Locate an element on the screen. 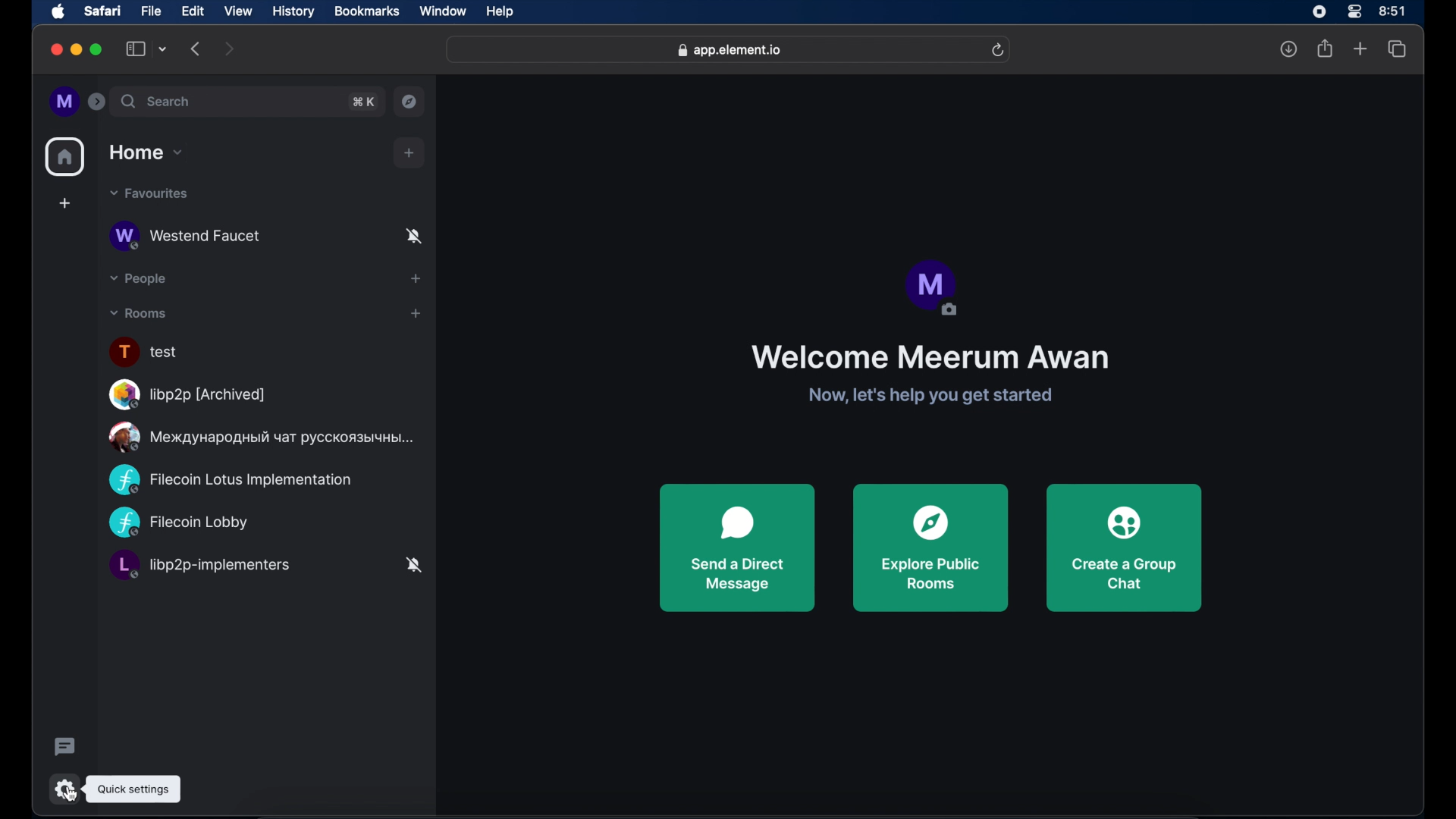 This screenshot has height=819, width=1456. tab group picker is located at coordinates (163, 49).